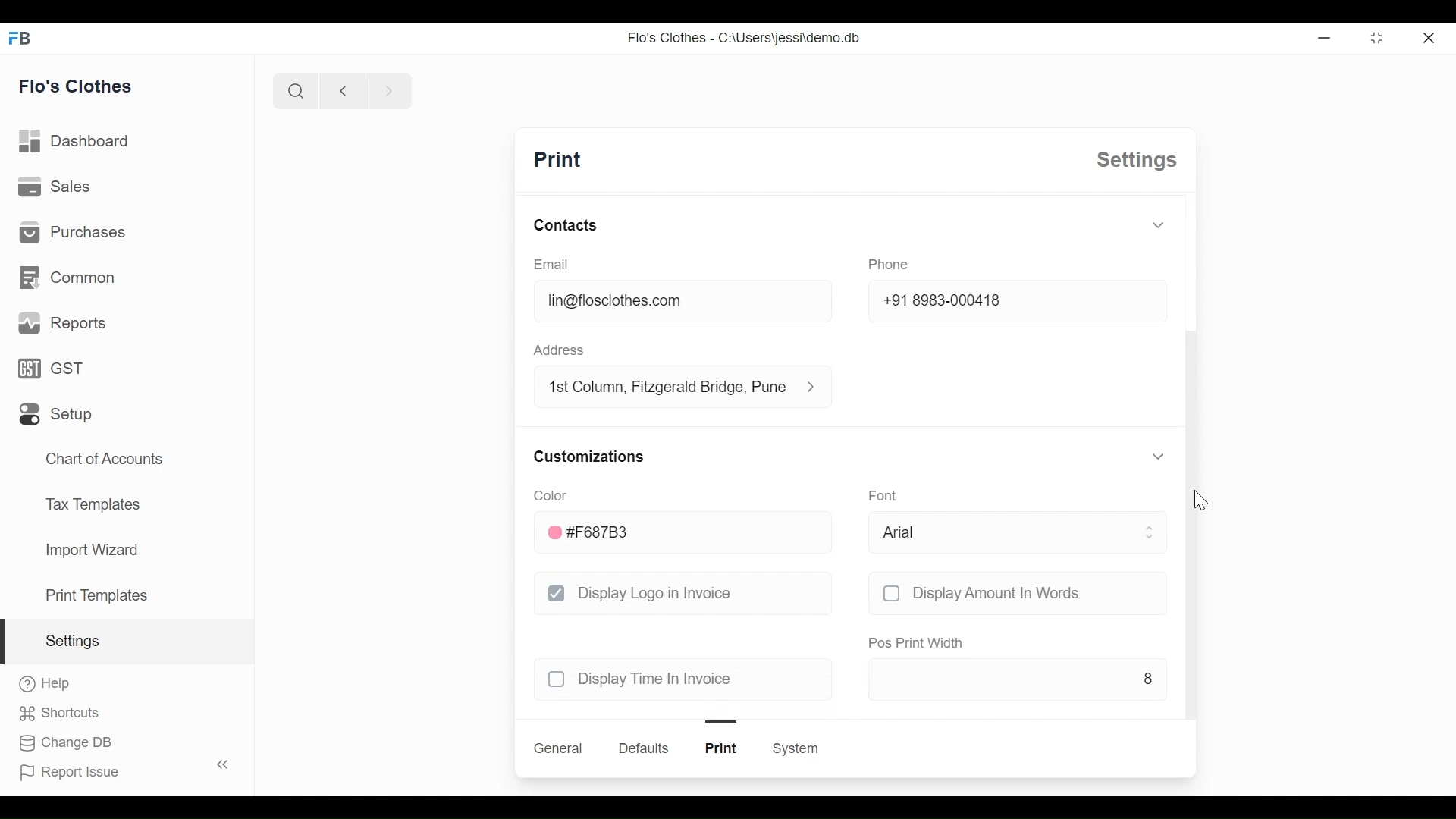  I want to click on contacts, so click(566, 224).